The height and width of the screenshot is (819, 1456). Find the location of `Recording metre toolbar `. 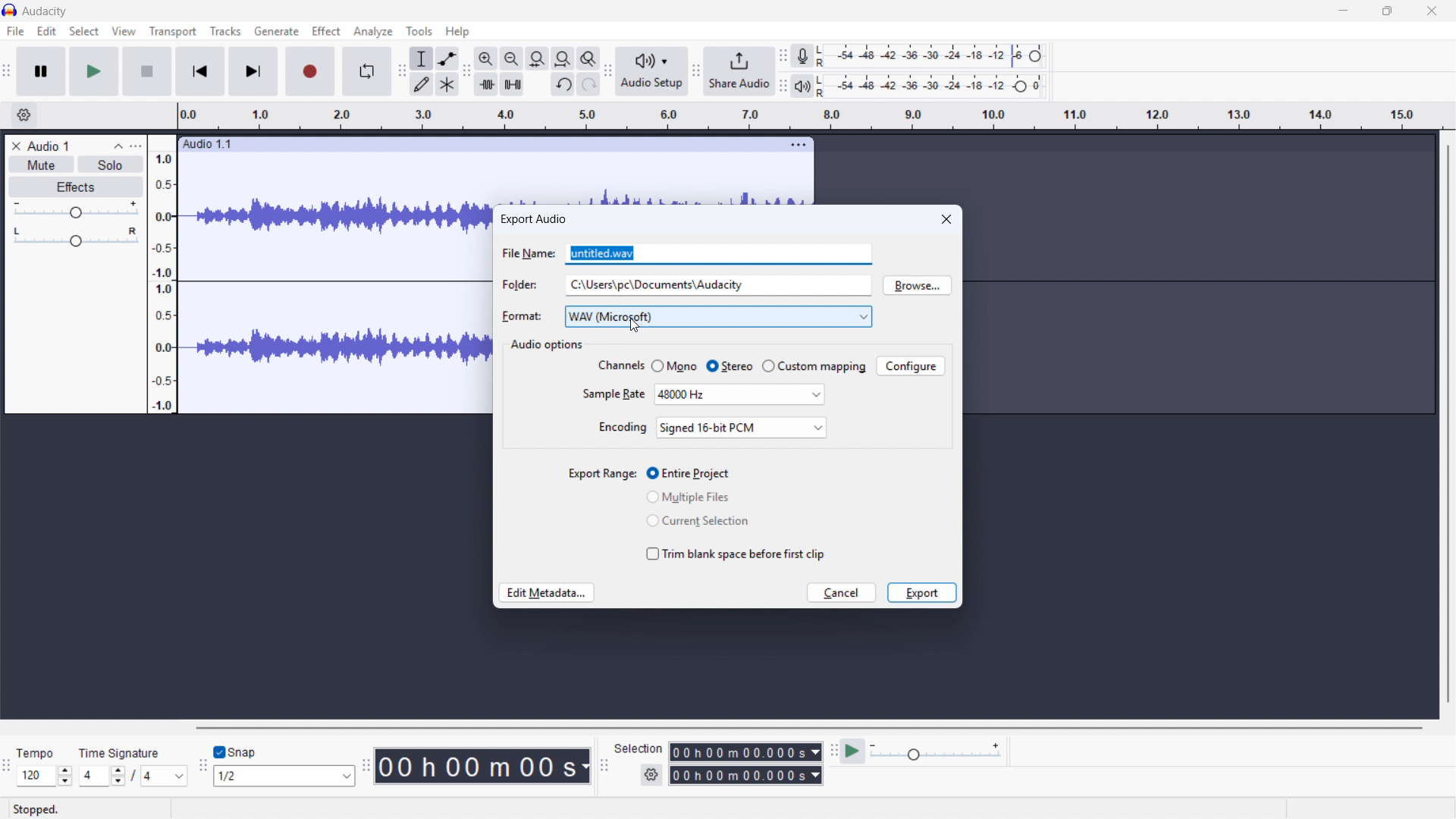

Recording metre toolbar  is located at coordinates (783, 56).